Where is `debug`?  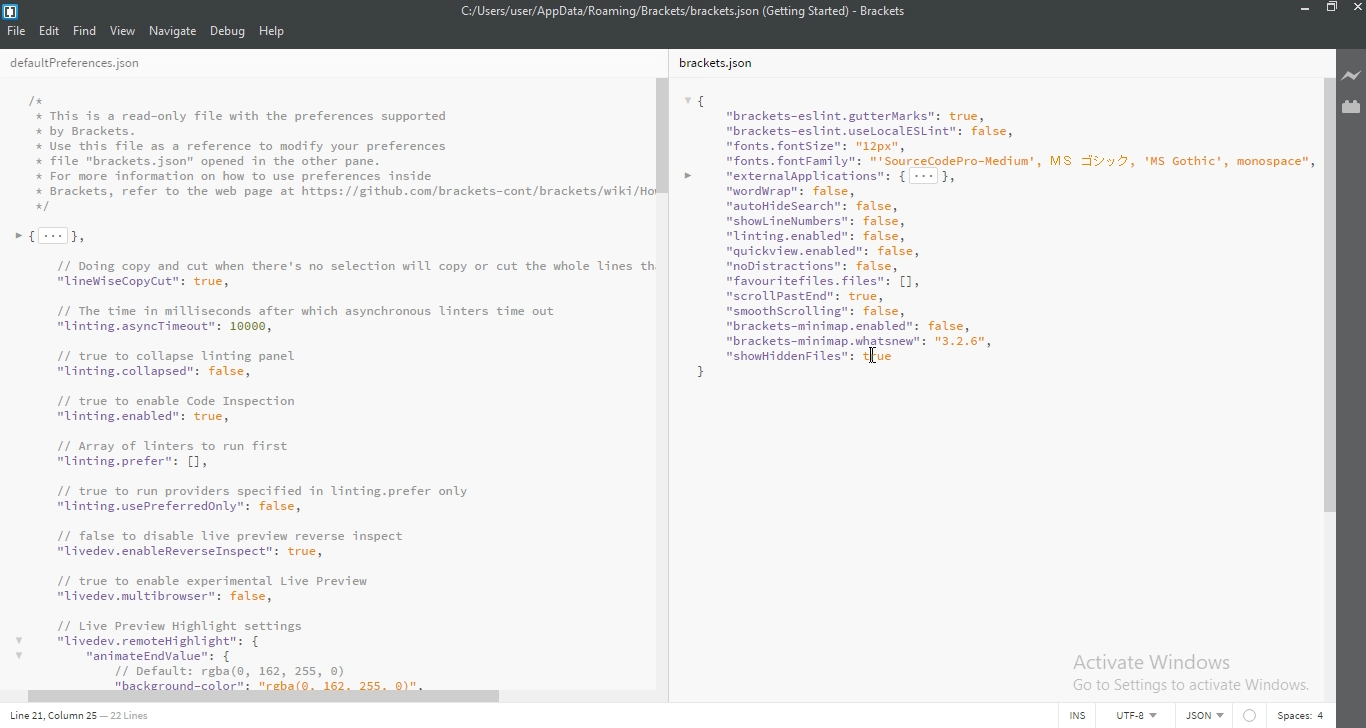
debug is located at coordinates (228, 30).